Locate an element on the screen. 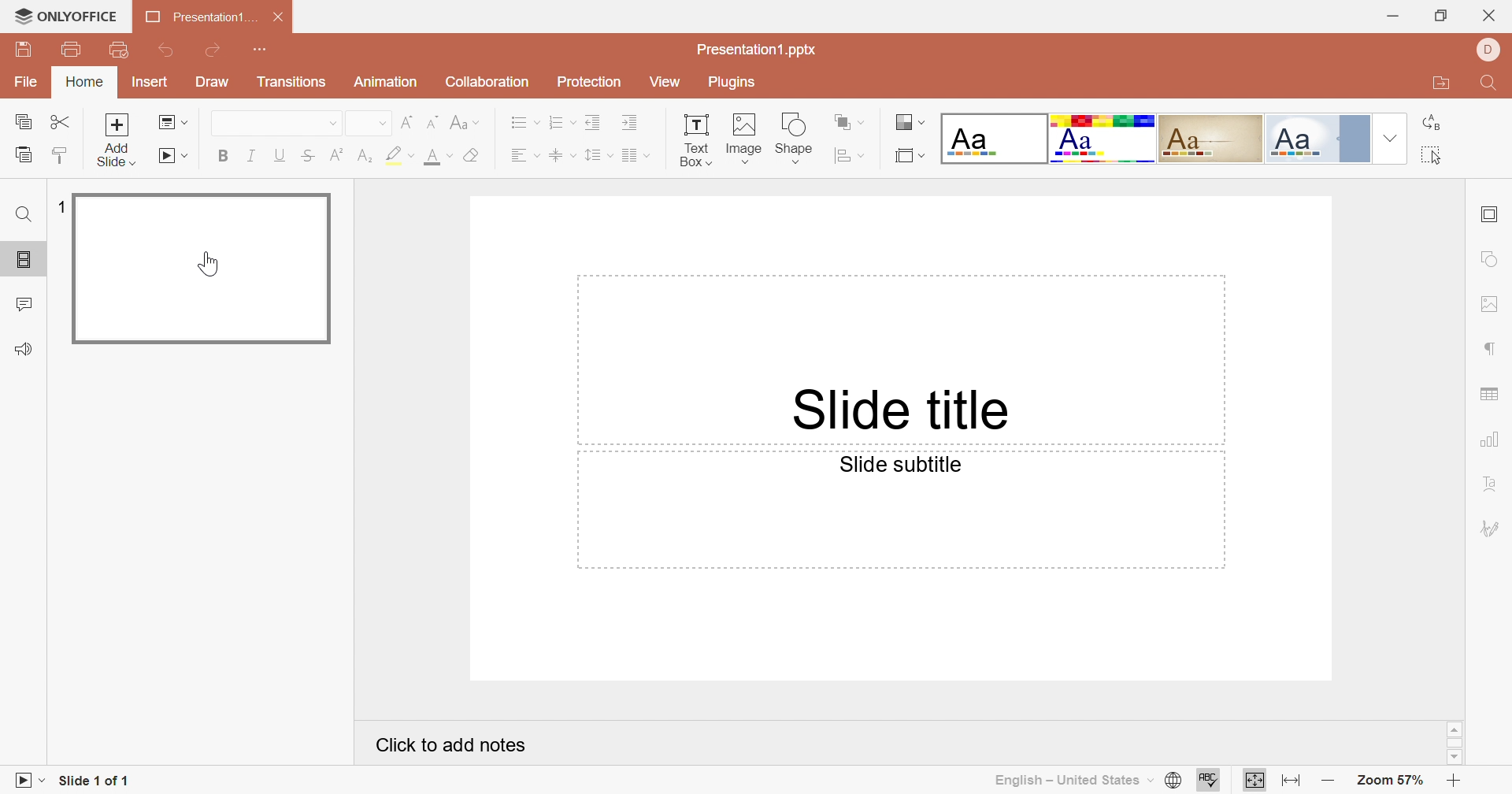 This screenshot has height=794, width=1512. Add slide is located at coordinates (116, 124).